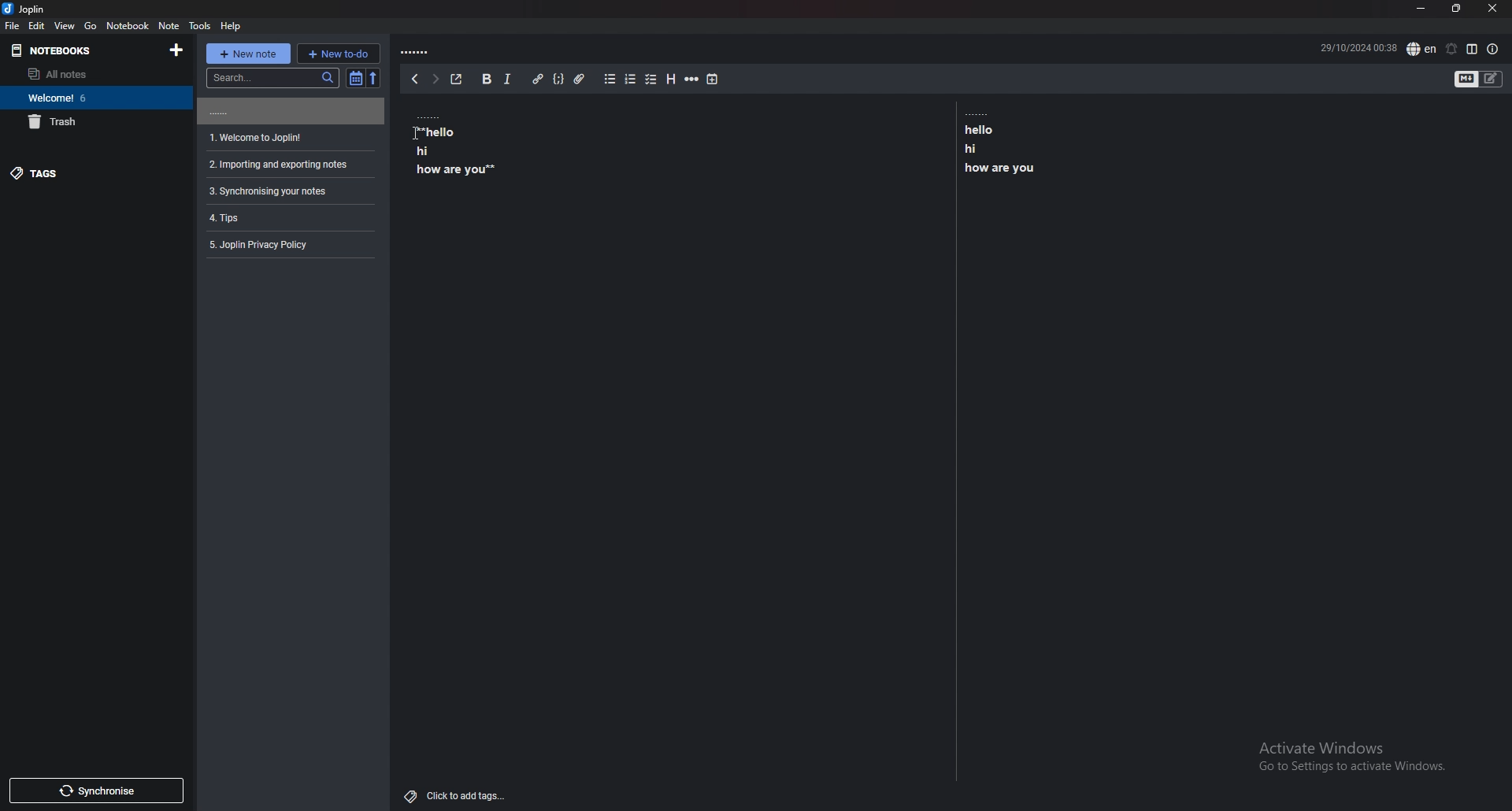 The width and height of the screenshot is (1512, 811). What do you see at coordinates (434, 79) in the screenshot?
I see `forward` at bounding box center [434, 79].